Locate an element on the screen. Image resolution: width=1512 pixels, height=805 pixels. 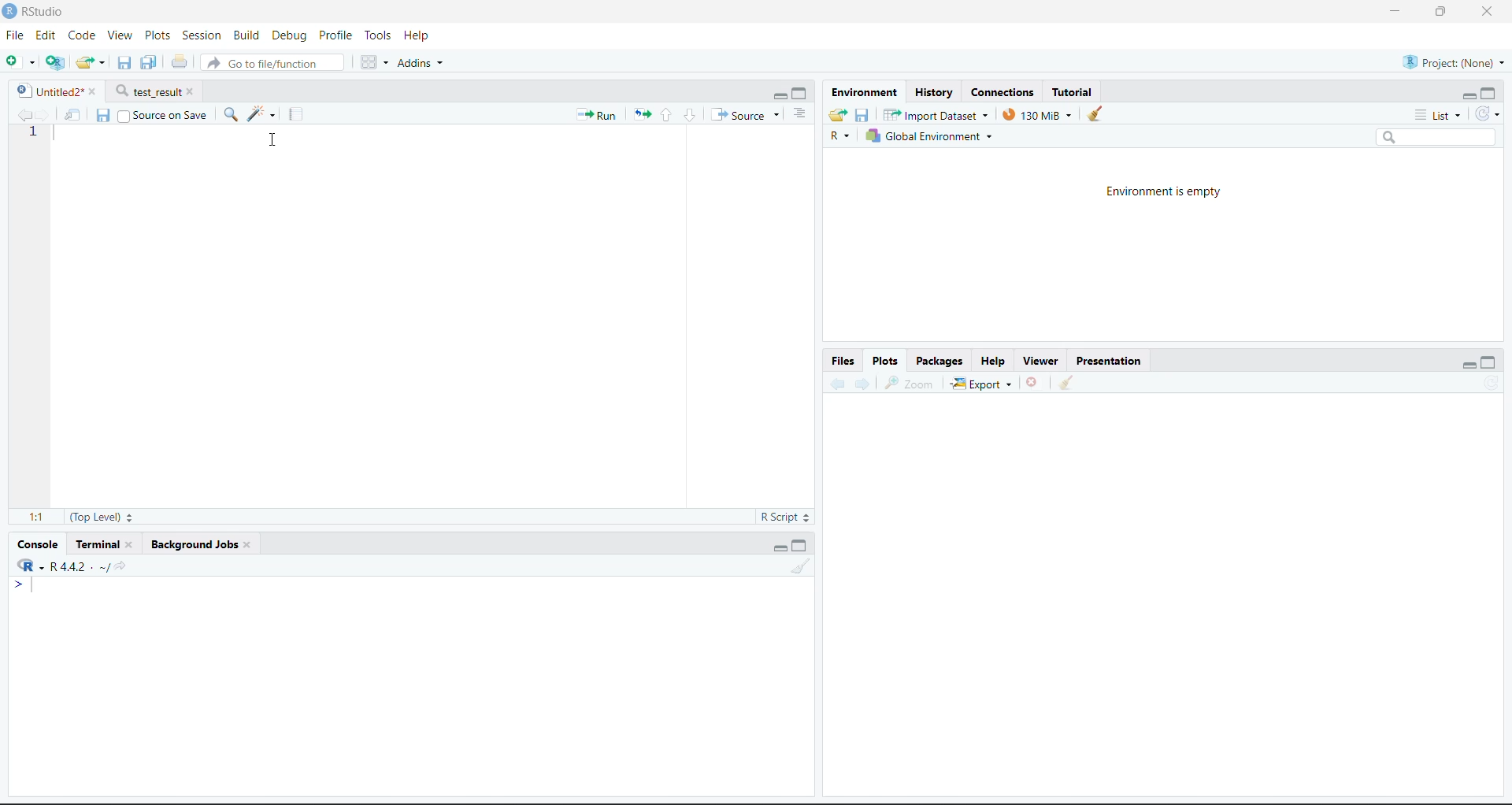
Terminal is located at coordinates (106, 541).